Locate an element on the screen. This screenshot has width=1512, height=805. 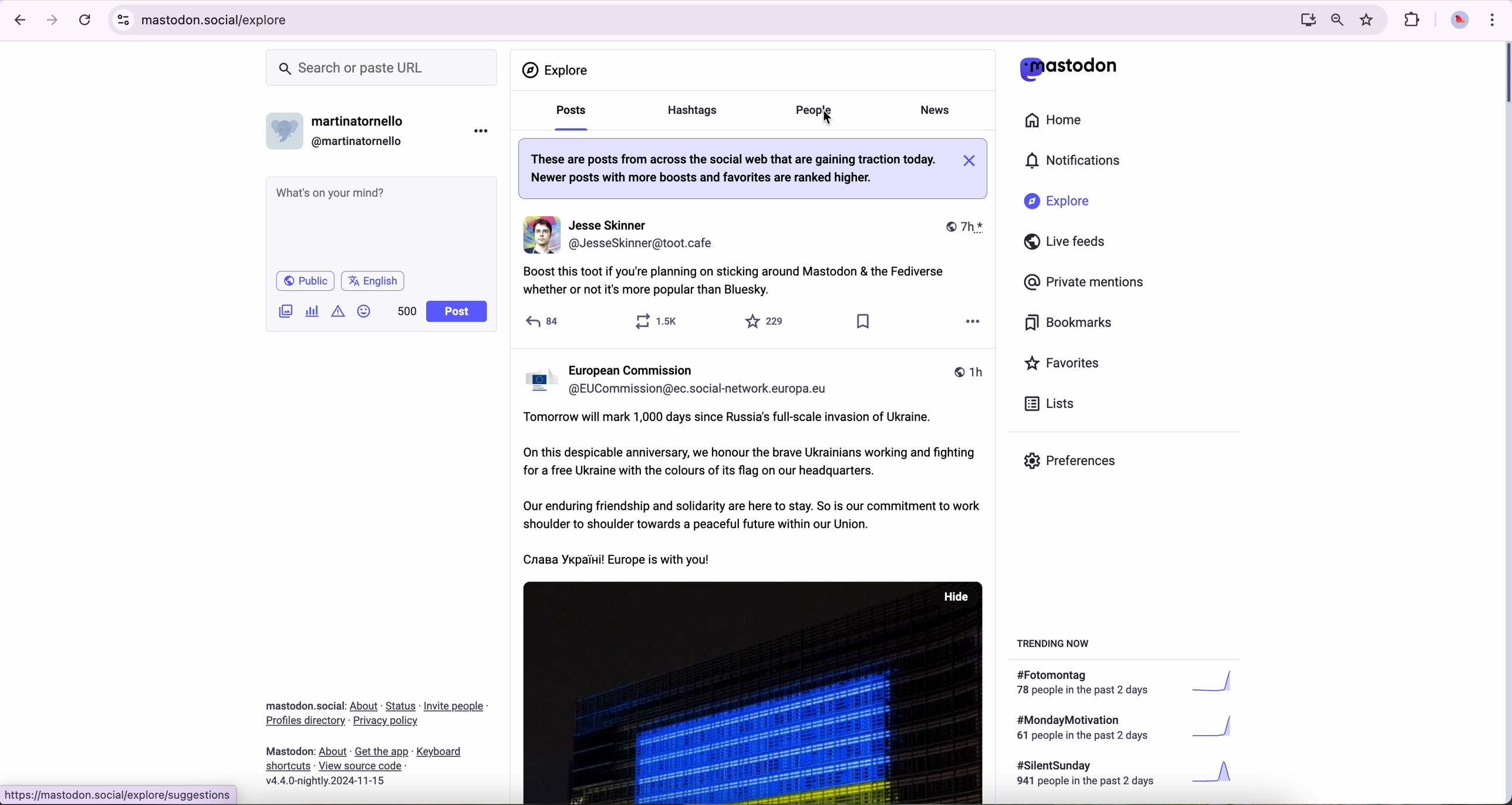
username is located at coordinates (341, 128).